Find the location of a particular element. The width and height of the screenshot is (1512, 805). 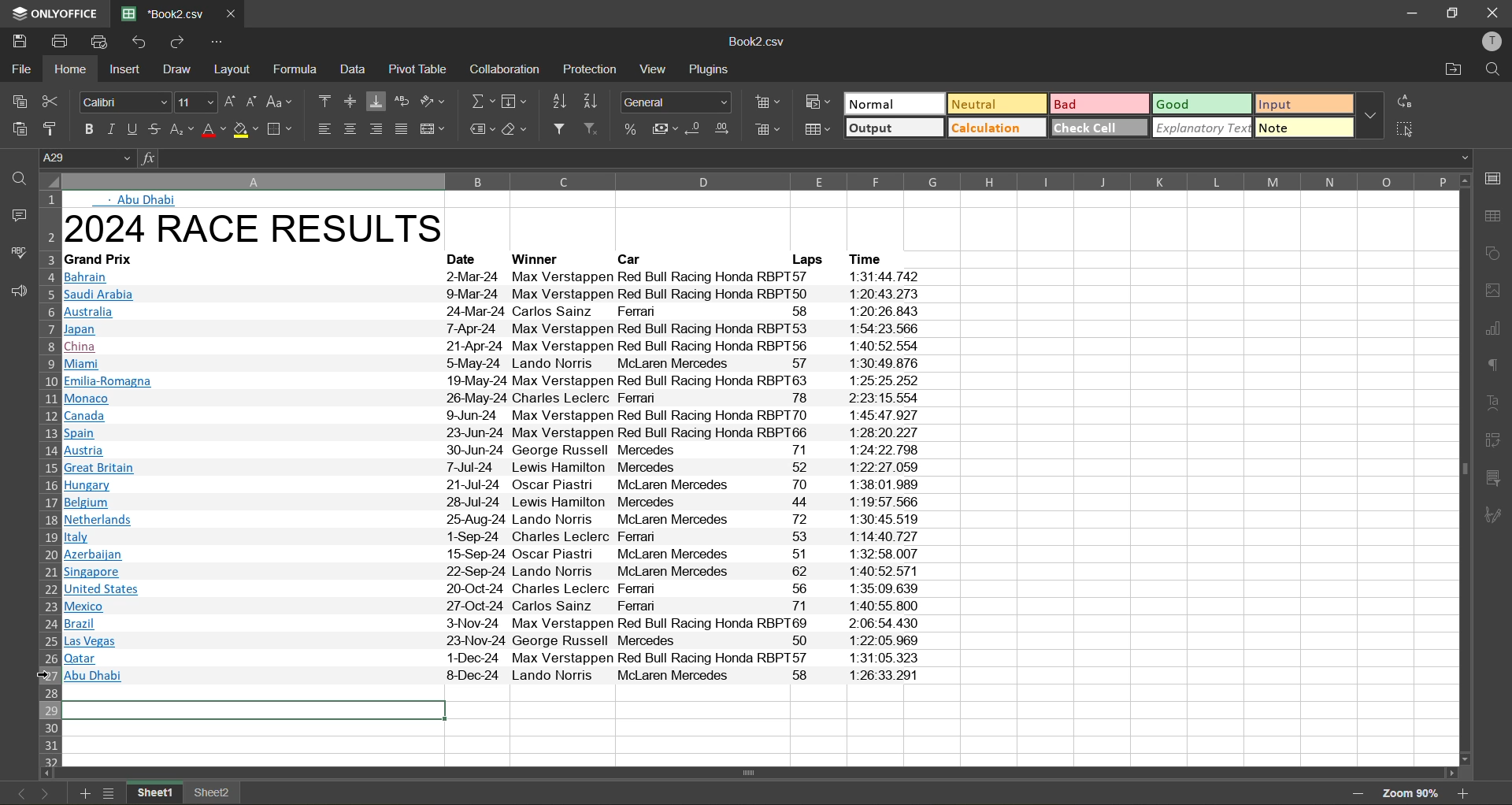

text info is located at coordinates (469, 260).